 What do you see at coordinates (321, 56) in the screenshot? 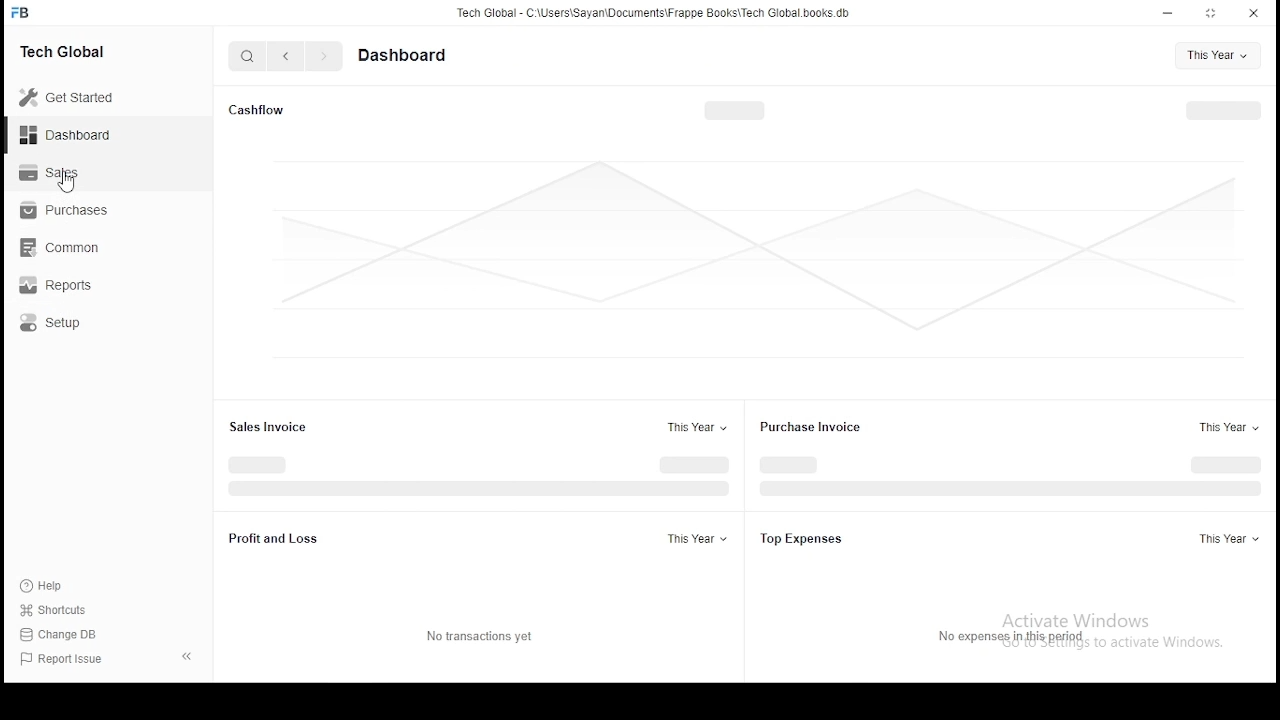
I see `next` at bounding box center [321, 56].